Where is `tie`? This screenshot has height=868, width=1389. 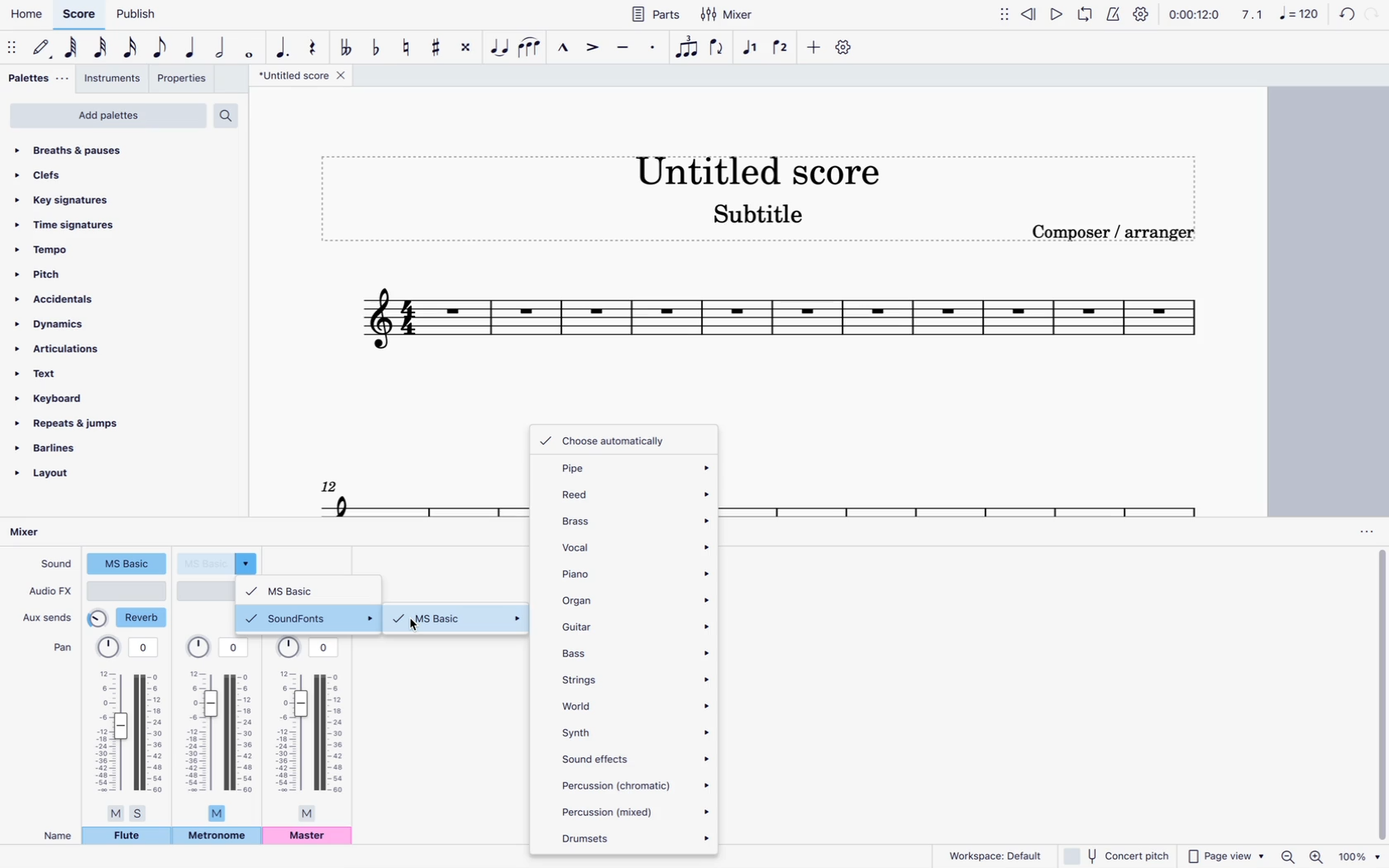
tie is located at coordinates (500, 49).